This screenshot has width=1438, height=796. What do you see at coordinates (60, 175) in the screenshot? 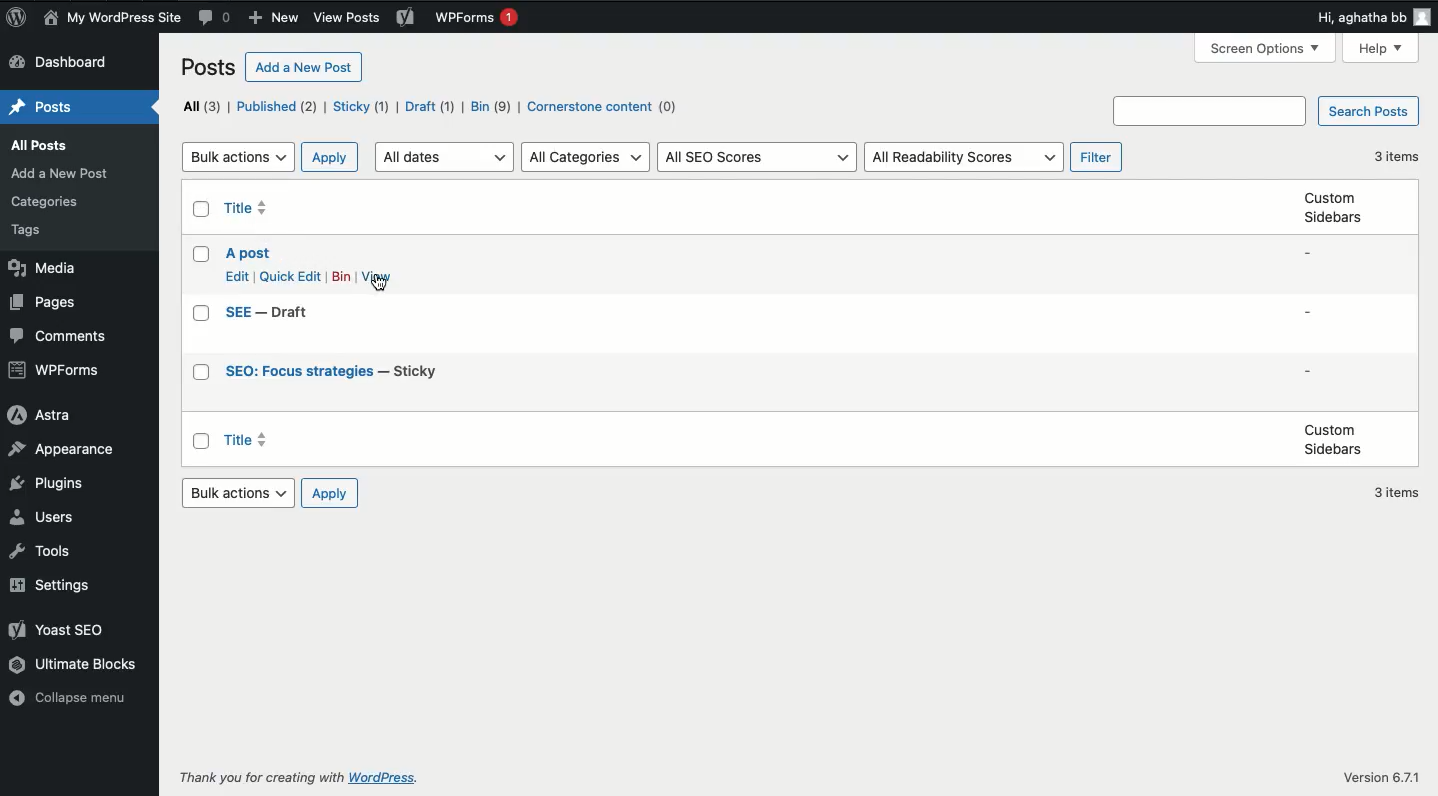
I see `` at bounding box center [60, 175].